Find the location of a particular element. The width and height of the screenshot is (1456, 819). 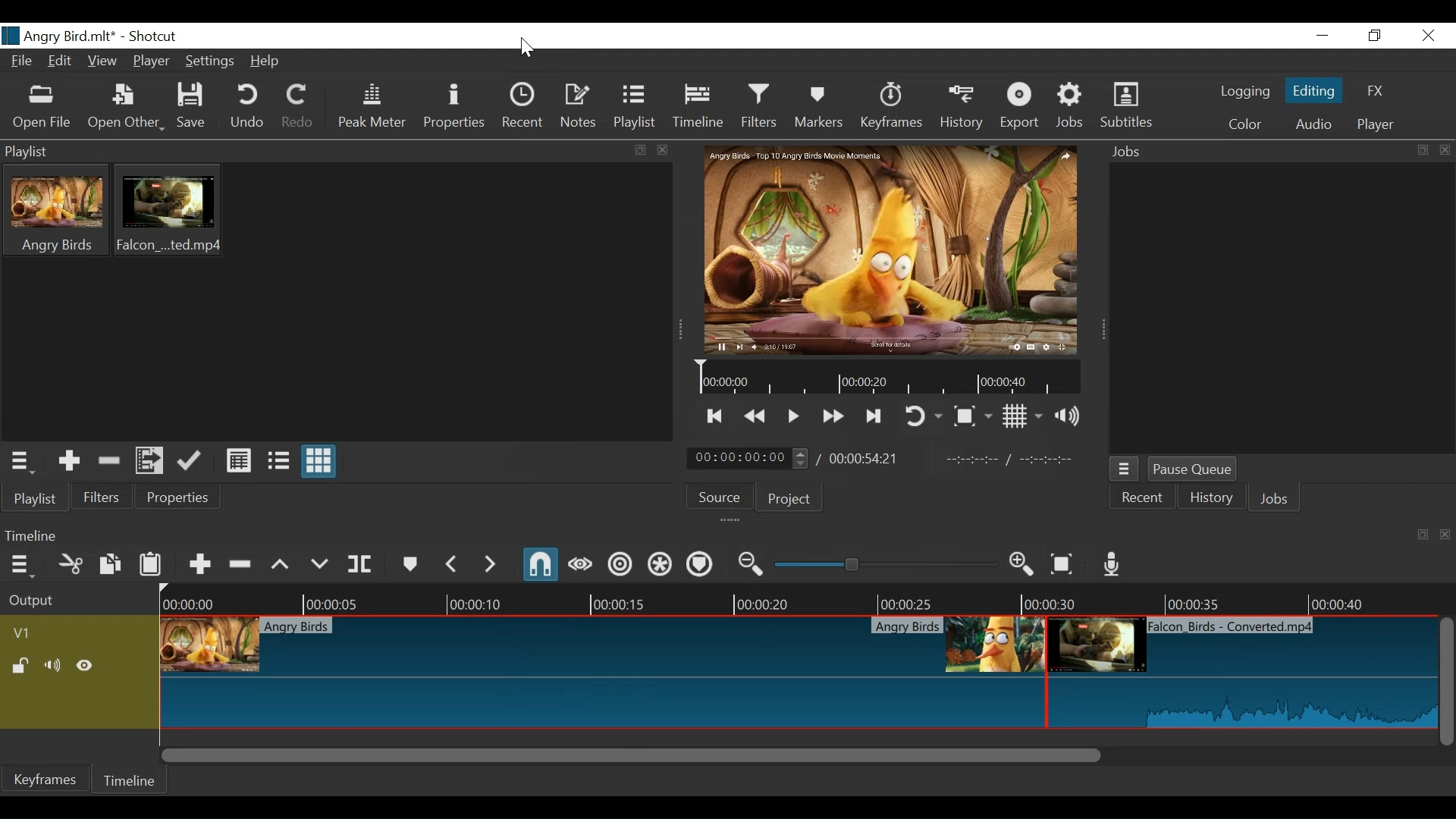

Open File is located at coordinates (42, 108).